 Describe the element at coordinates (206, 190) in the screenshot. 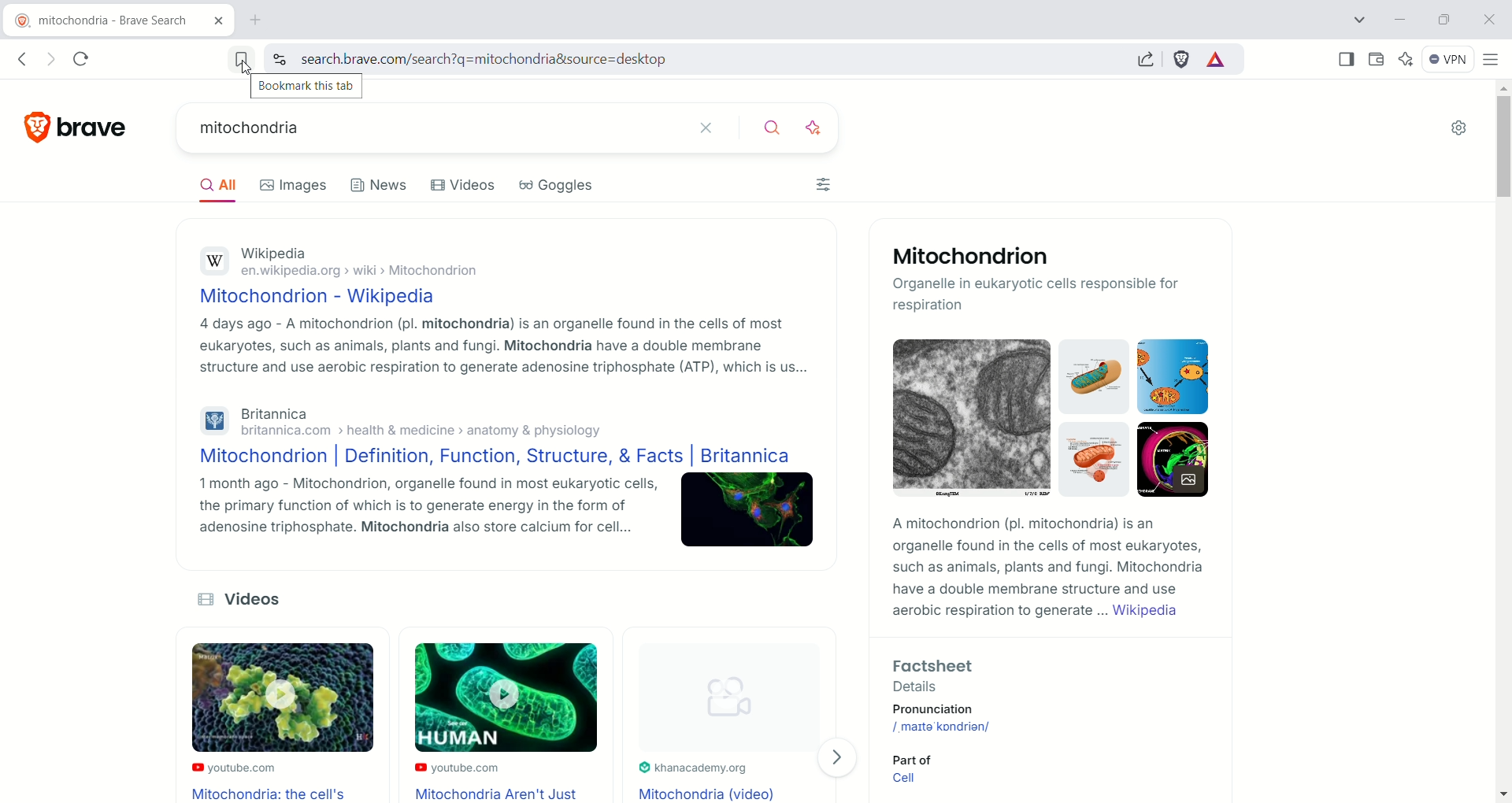

I see `All` at that location.